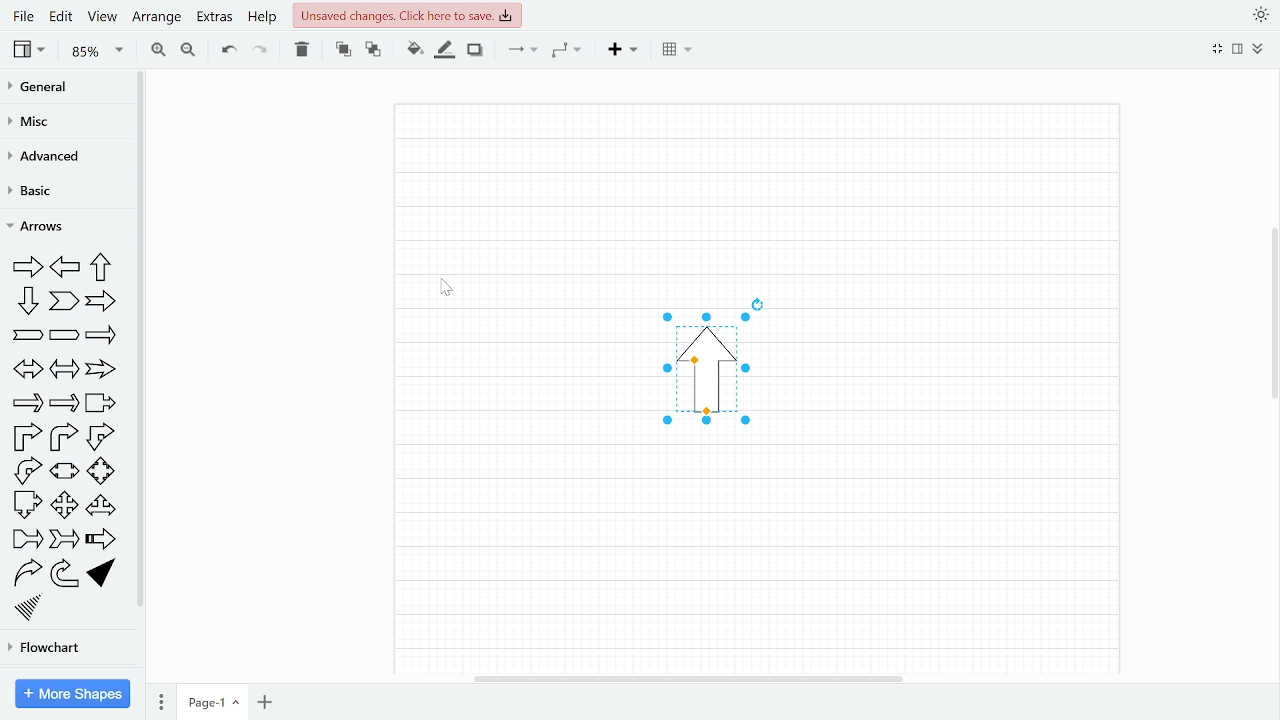  What do you see at coordinates (1238, 50) in the screenshot?
I see `Format` at bounding box center [1238, 50].